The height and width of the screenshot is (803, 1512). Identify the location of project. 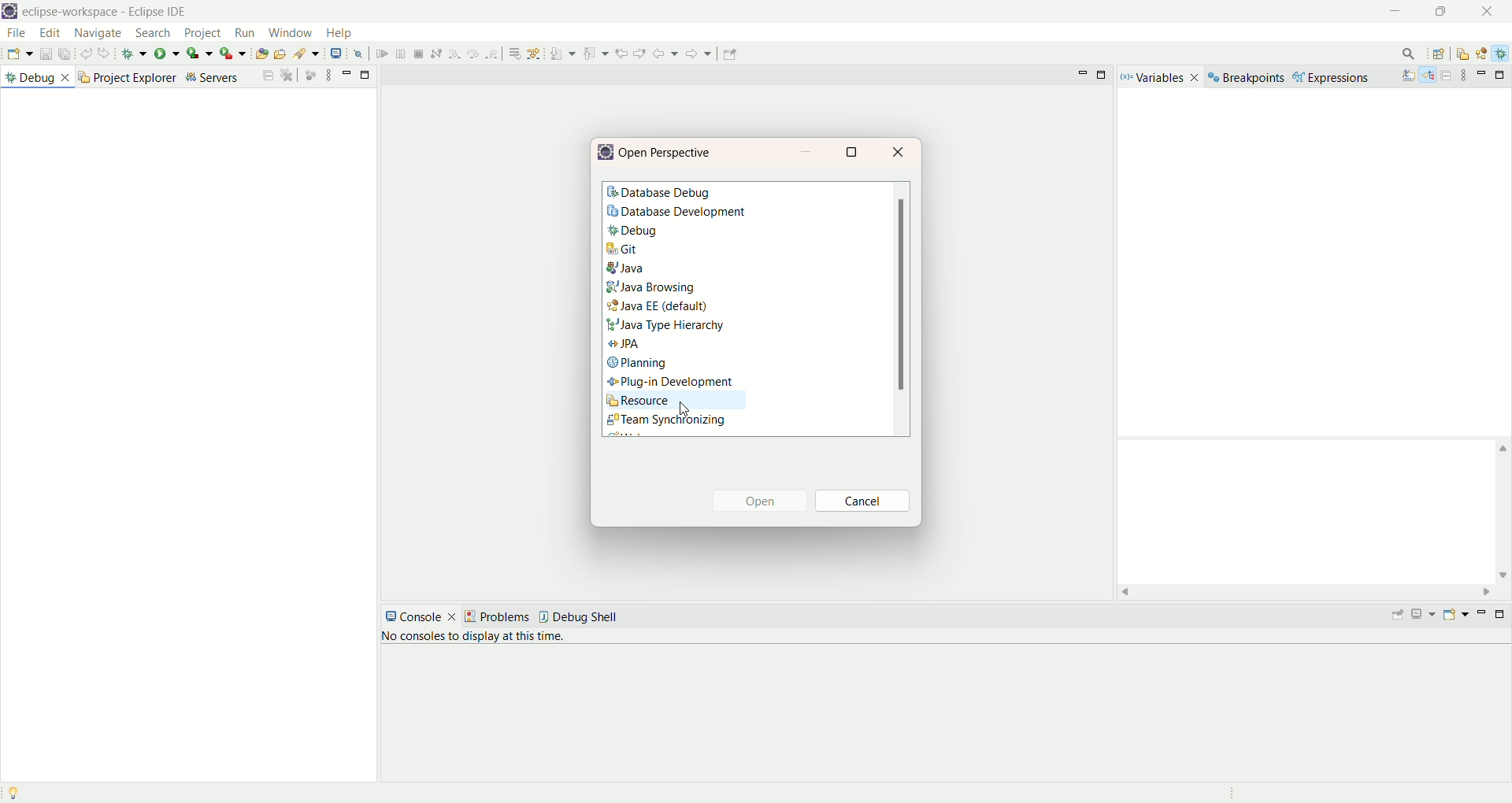
(204, 33).